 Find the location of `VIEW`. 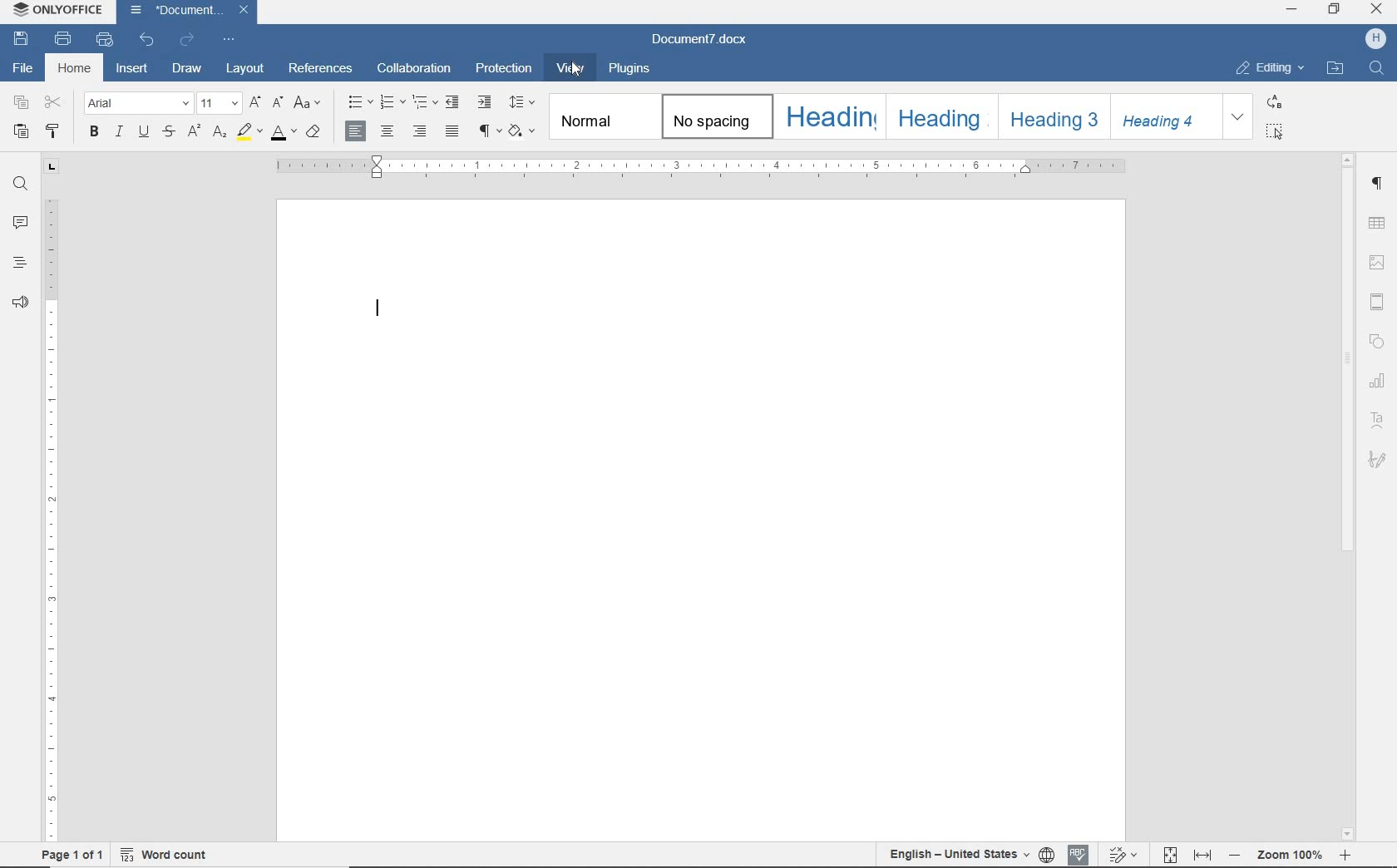

VIEW is located at coordinates (570, 70).